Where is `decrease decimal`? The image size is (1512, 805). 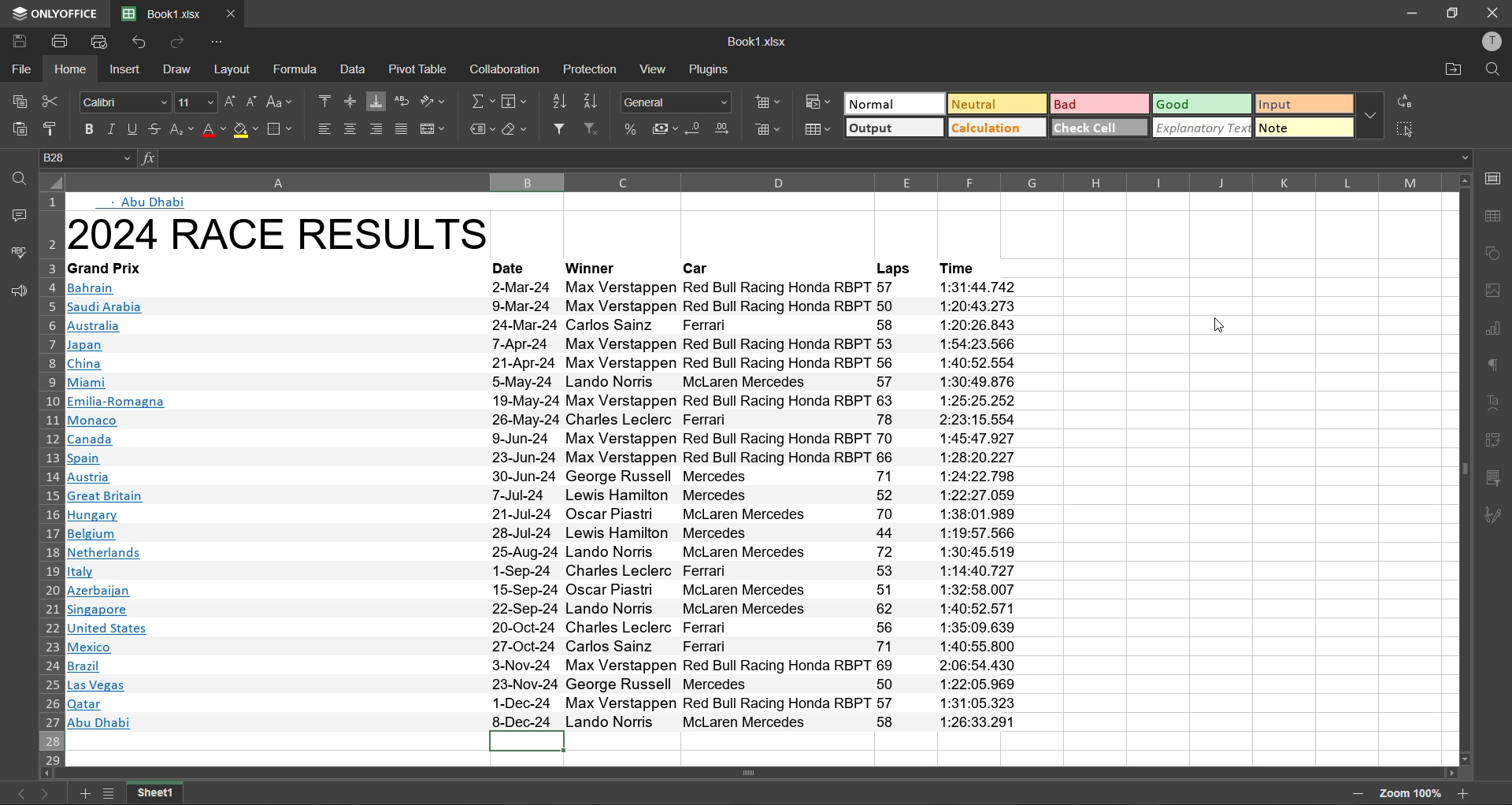 decrease decimal is located at coordinates (693, 130).